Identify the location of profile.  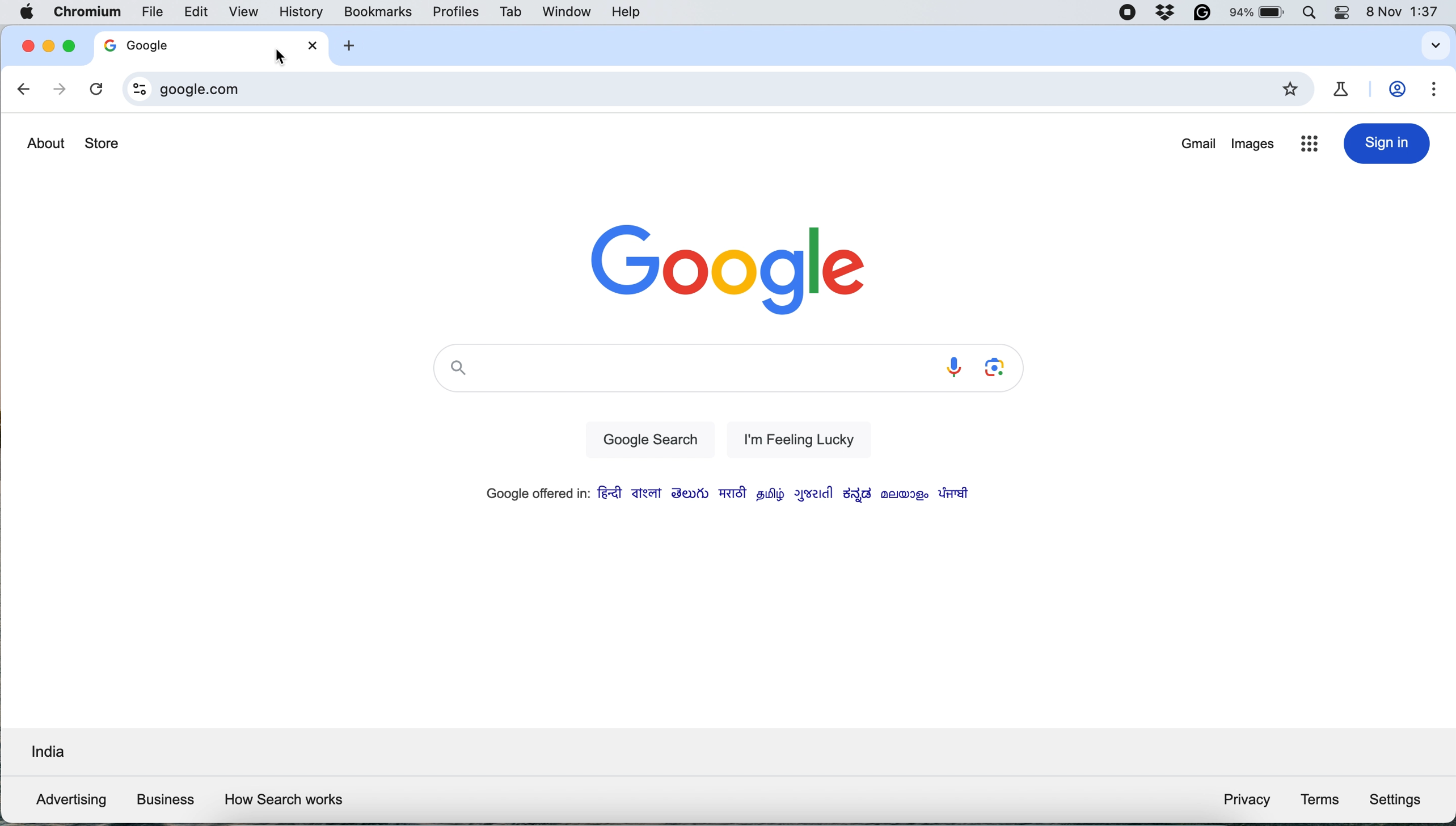
(1400, 90).